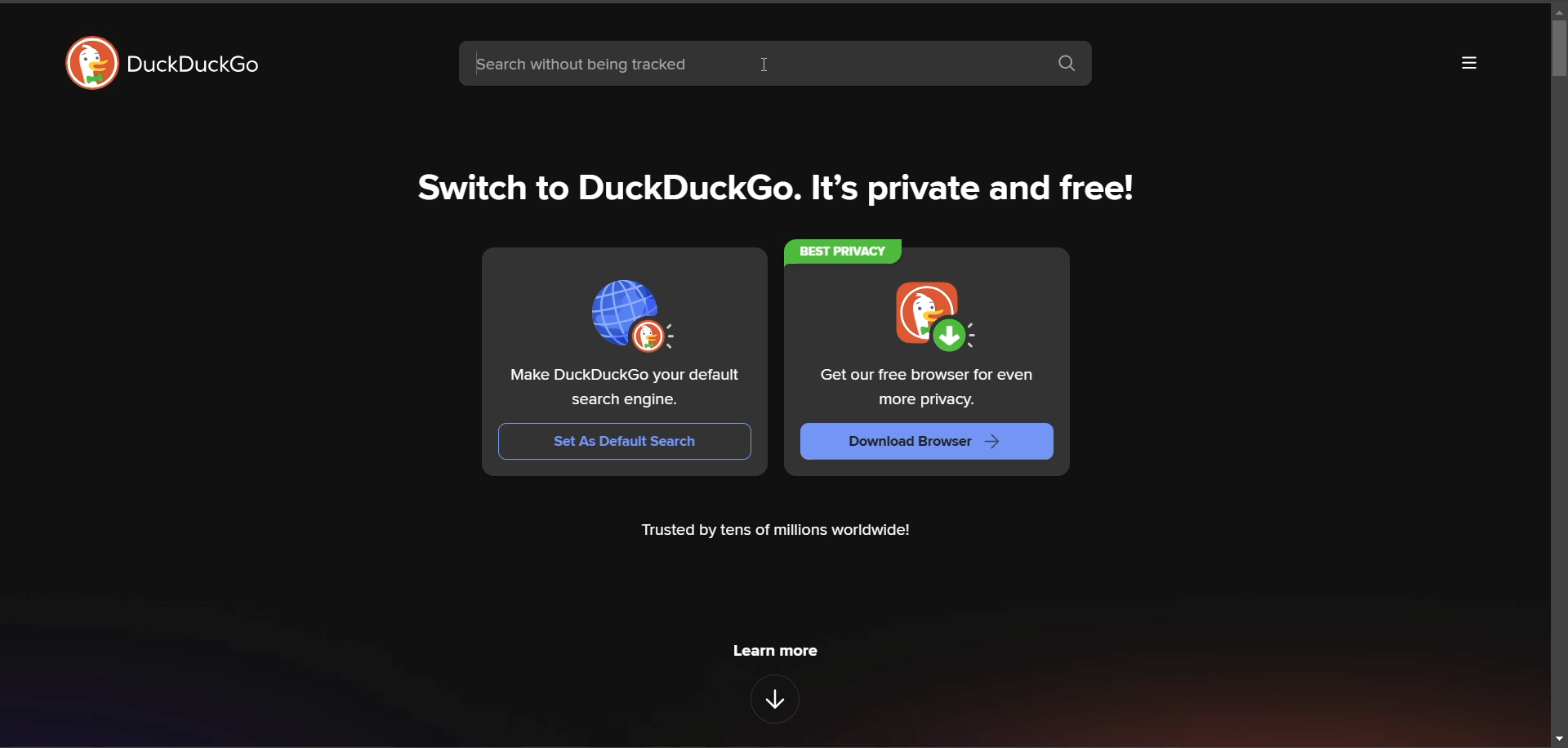  What do you see at coordinates (744, 61) in the screenshot?
I see `search bar` at bounding box center [744, 61].